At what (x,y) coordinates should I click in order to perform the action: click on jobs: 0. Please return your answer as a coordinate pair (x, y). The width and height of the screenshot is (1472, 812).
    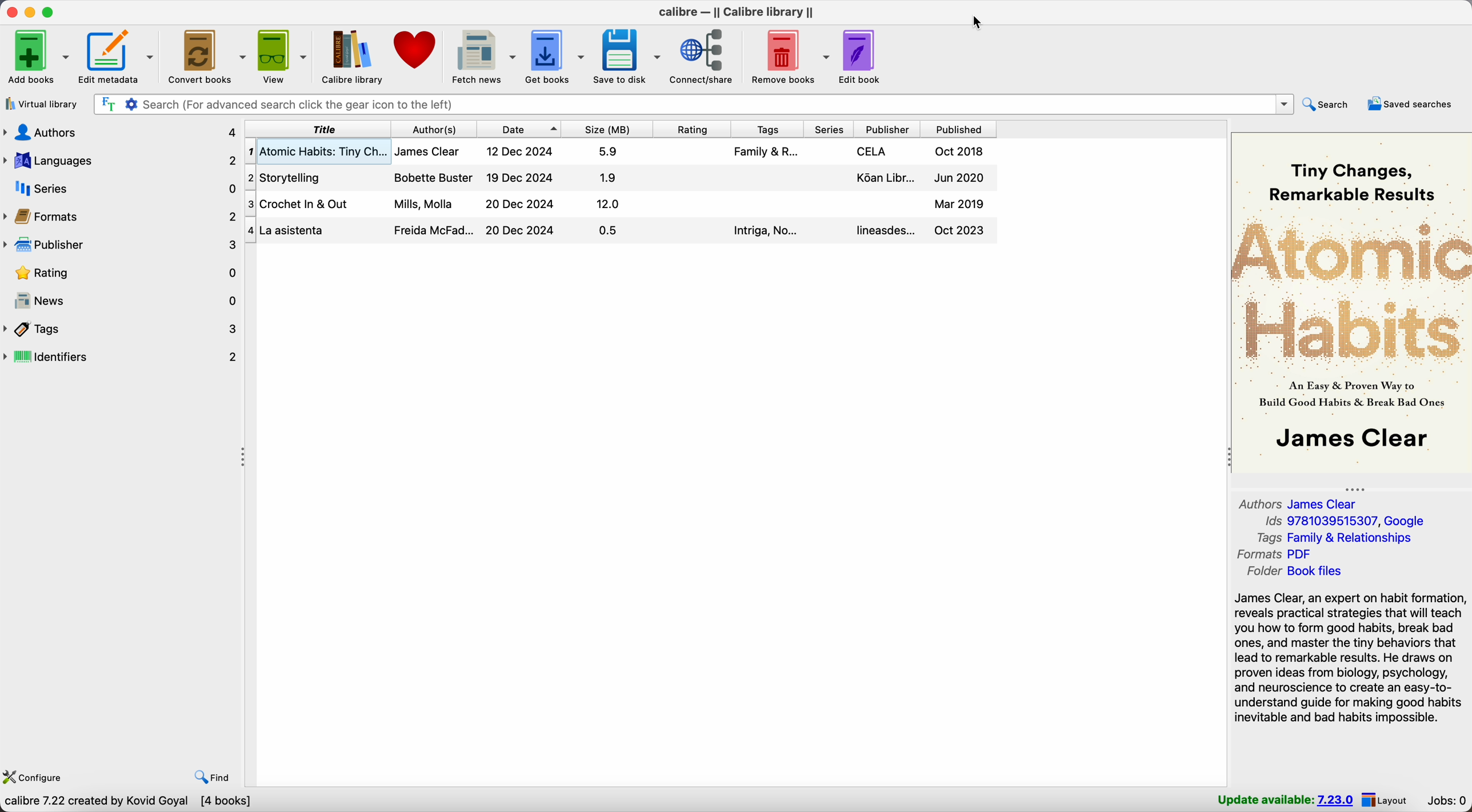
    Looking at the image, I should click on (1444, 799).